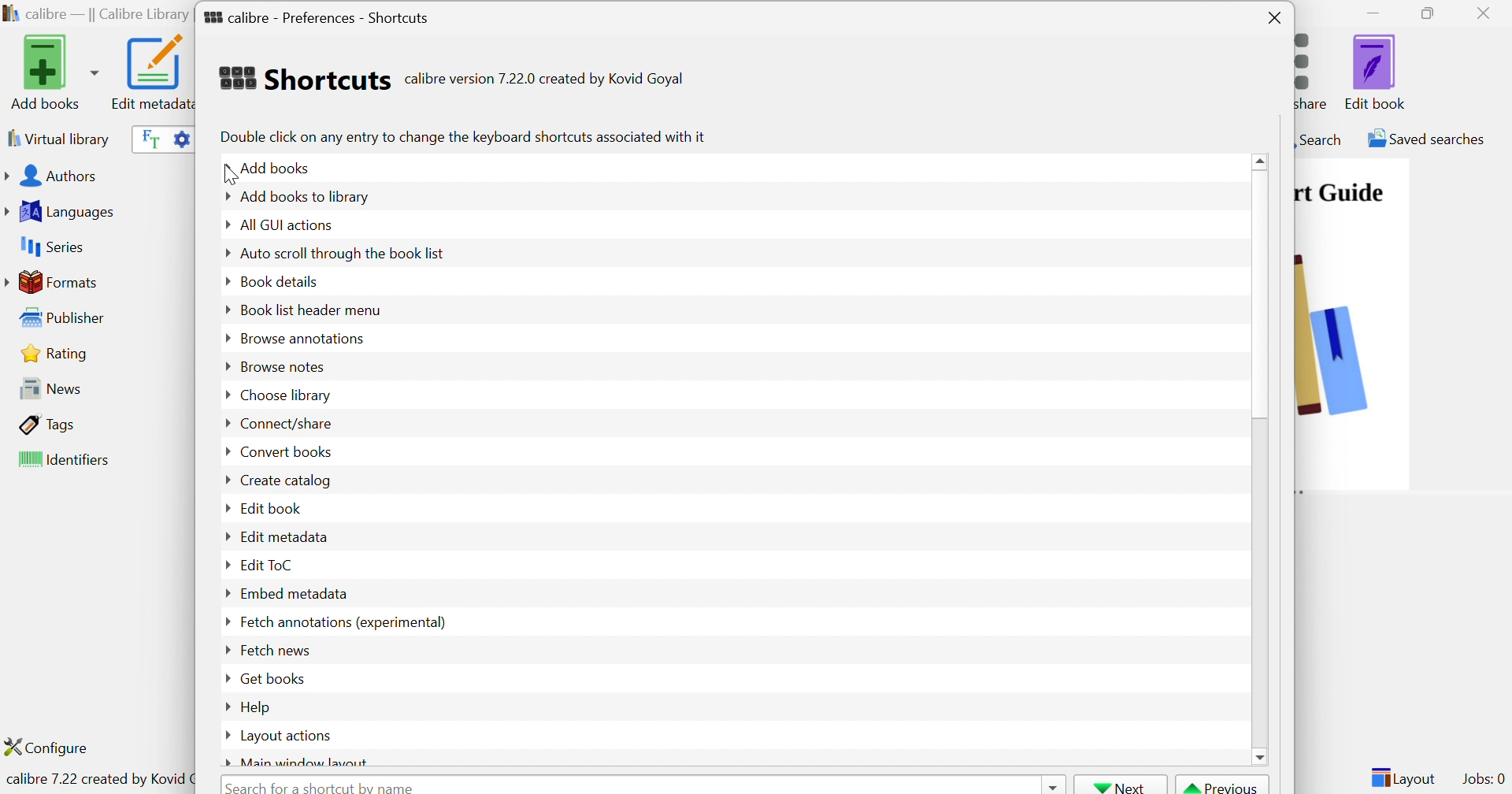 This screenshot has height=794, width=1512. I want to click on Drop Down, so click(224, 651).